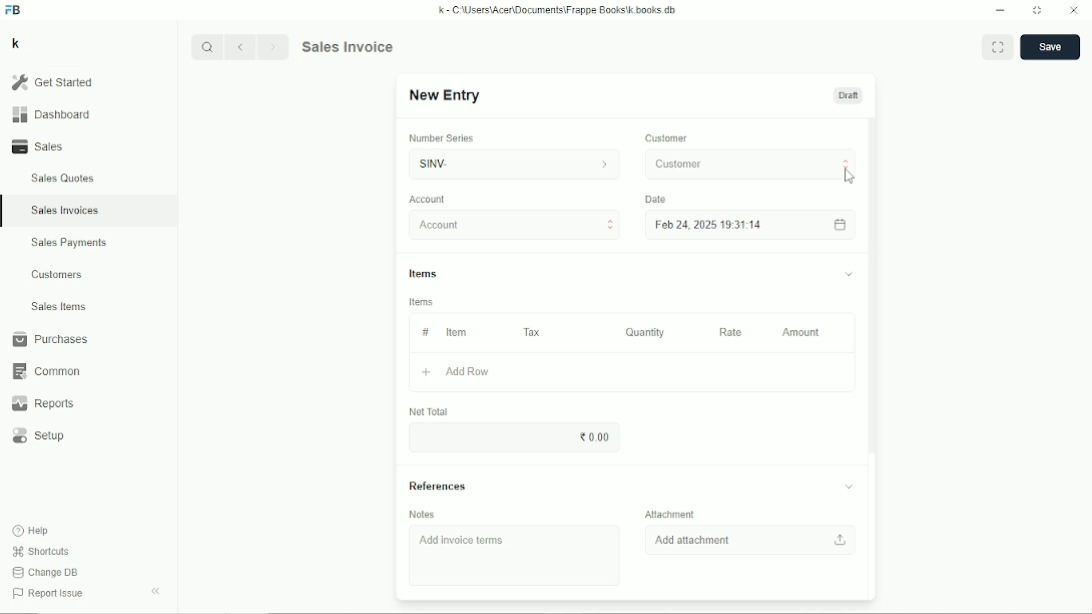  Describe the element at coordinates (64, 210) in the screenshot. I see `Sales invoices` at that location.